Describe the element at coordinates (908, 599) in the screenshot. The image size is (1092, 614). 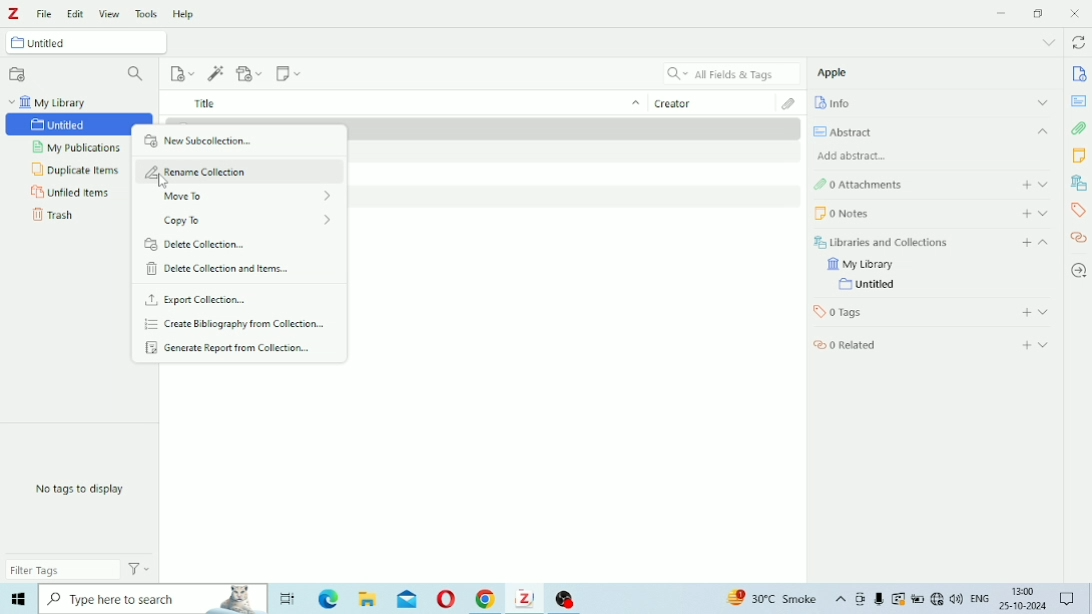
I see `` at that location.